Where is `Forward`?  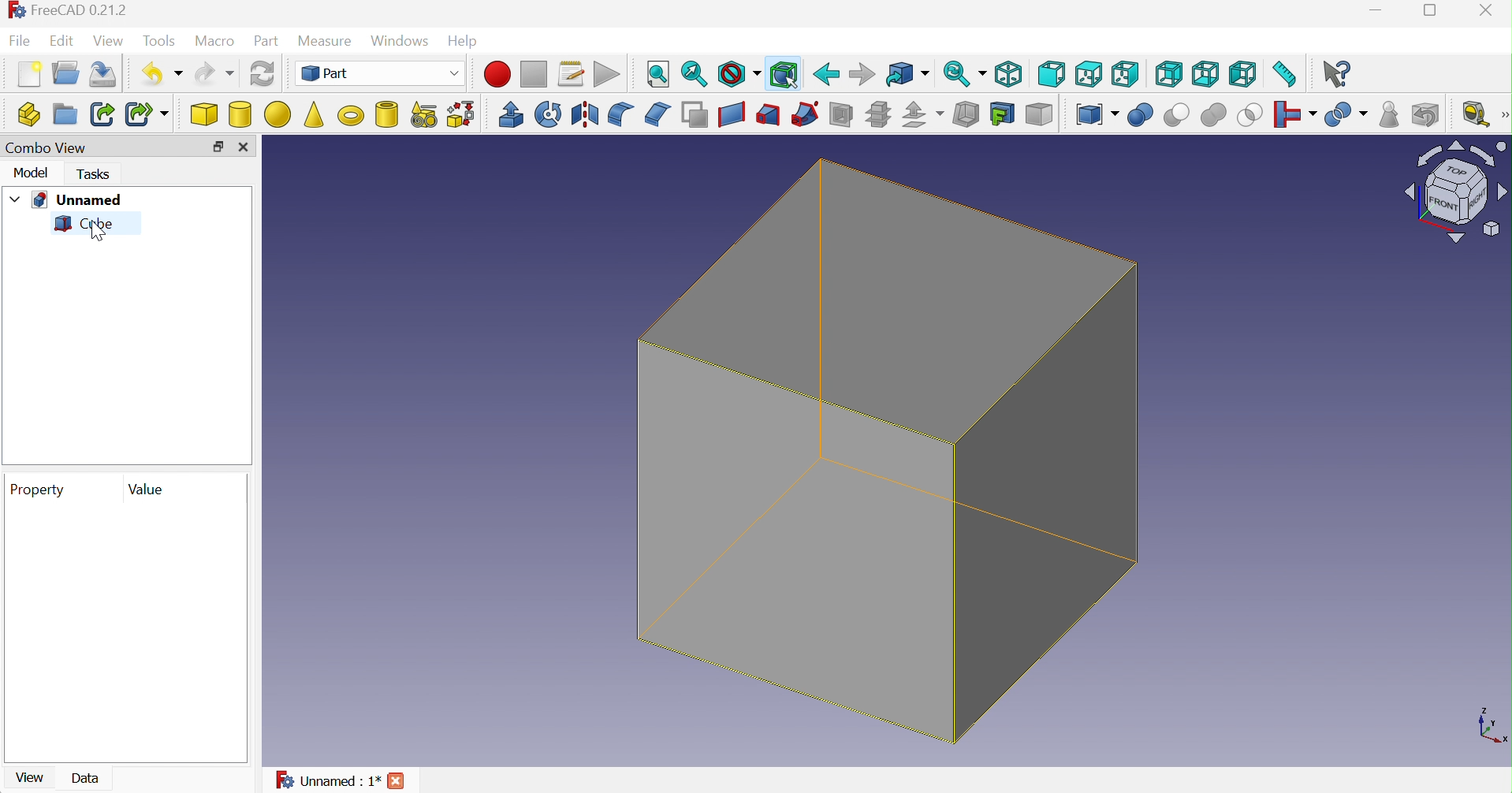
Forward is located at coordinates (862, 76).